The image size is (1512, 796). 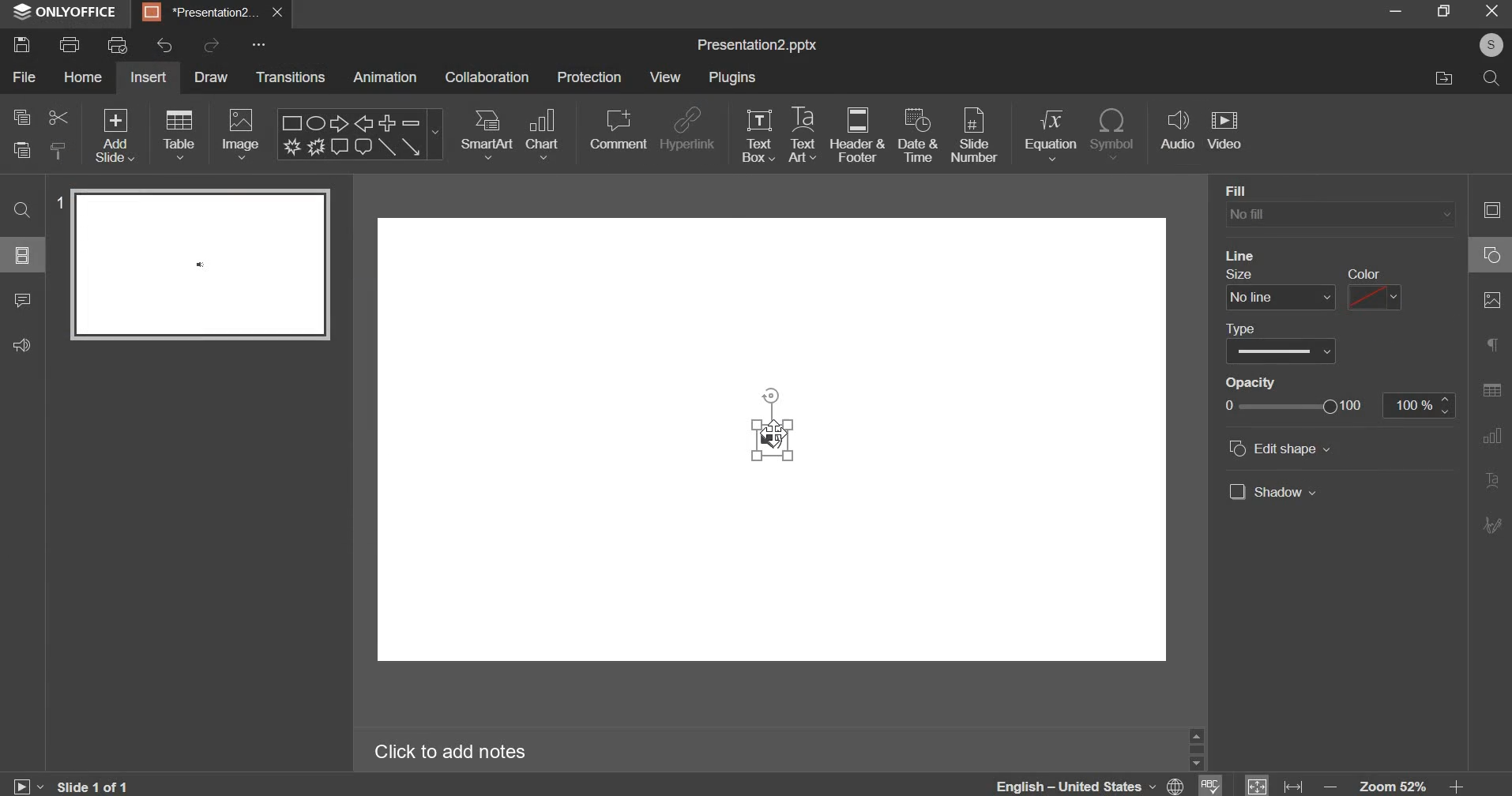 I want to click on shape settings, so click(x=1491, y=253).